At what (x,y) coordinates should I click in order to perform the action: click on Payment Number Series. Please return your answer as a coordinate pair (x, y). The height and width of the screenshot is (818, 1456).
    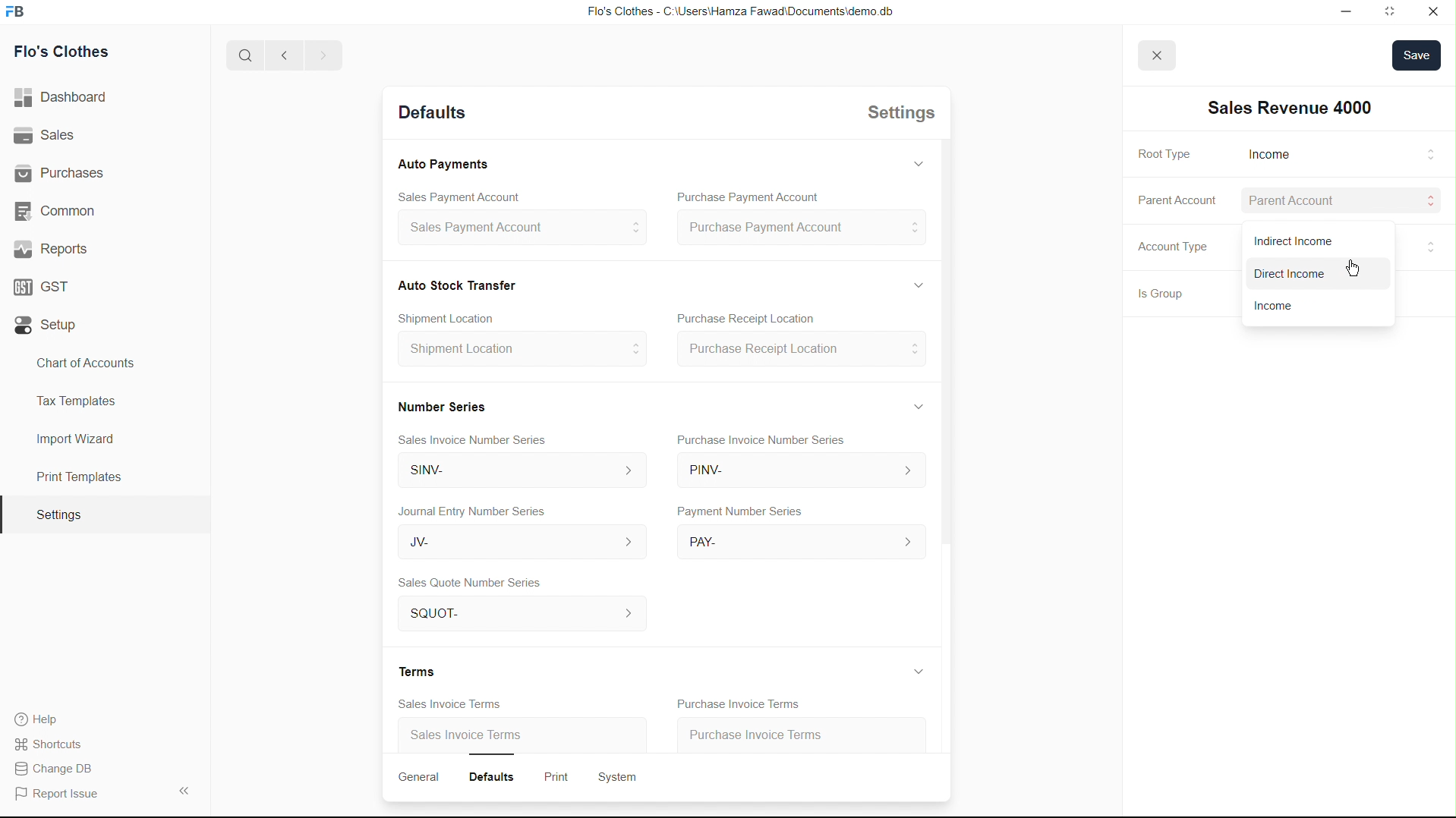
    Looking at the image, I should click on (736, 512).